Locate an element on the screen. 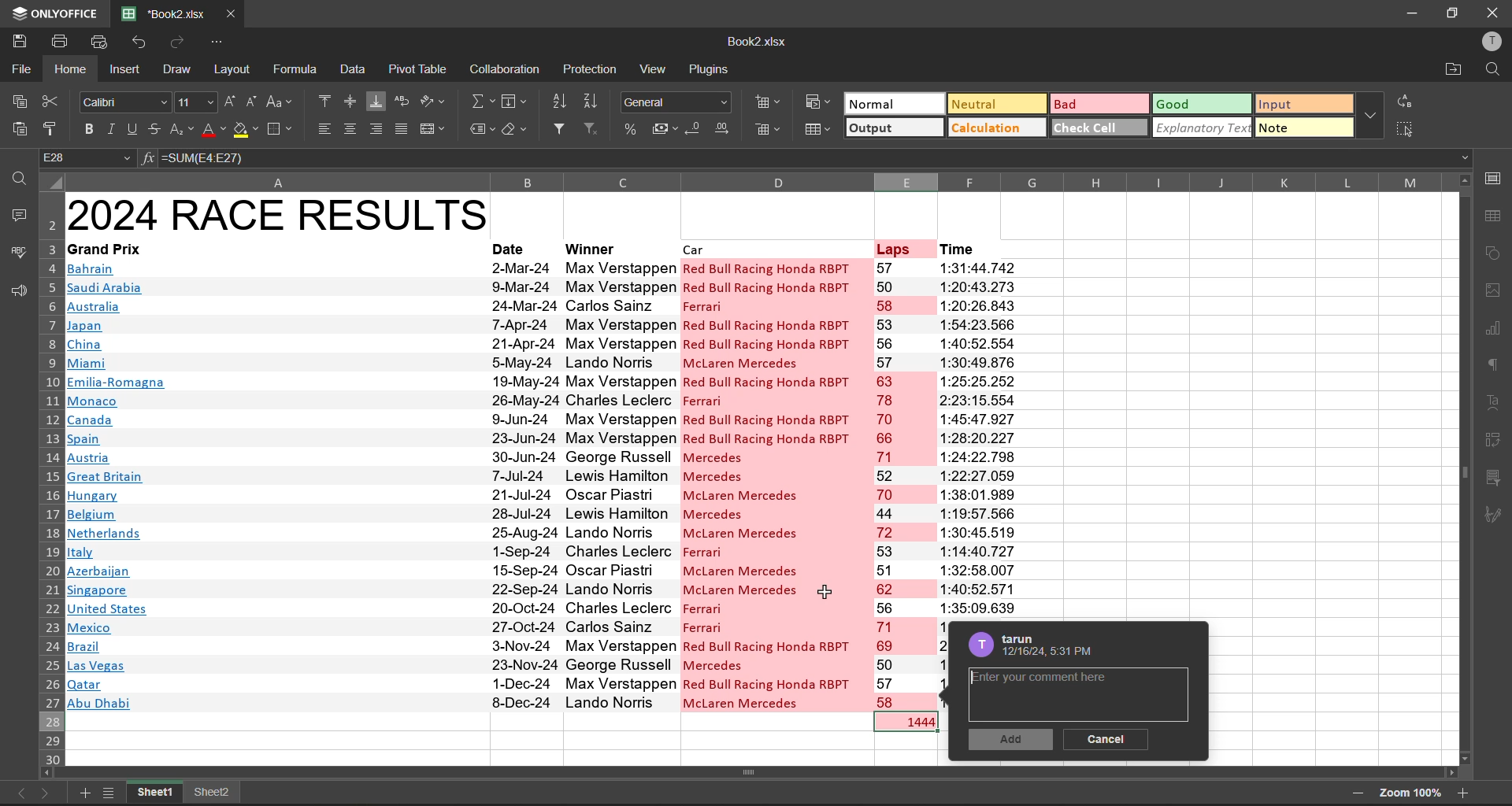  layout is located at coordinates (235, 71).